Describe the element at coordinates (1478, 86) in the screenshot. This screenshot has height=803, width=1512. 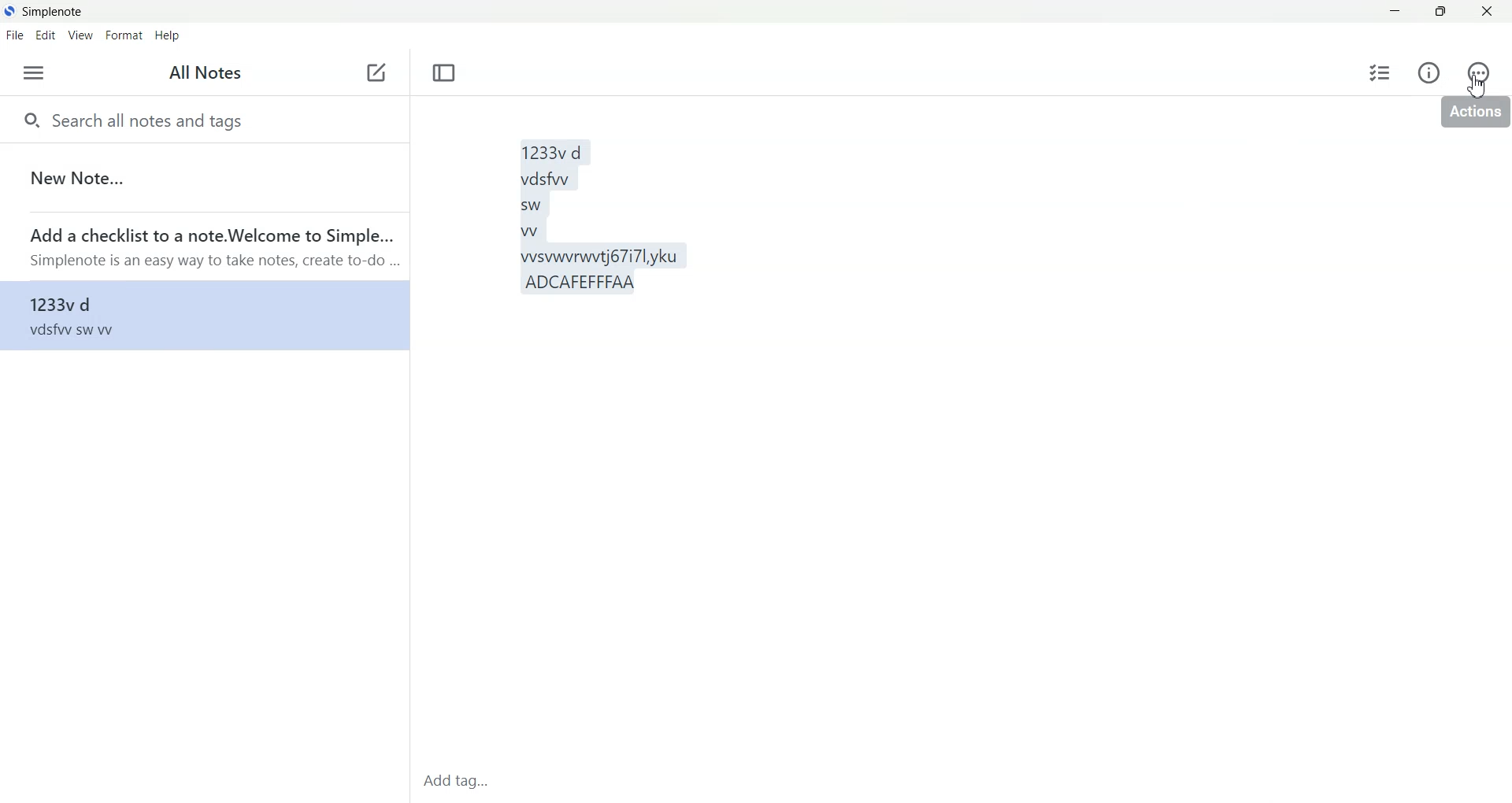
I see `Cursor` at that location.